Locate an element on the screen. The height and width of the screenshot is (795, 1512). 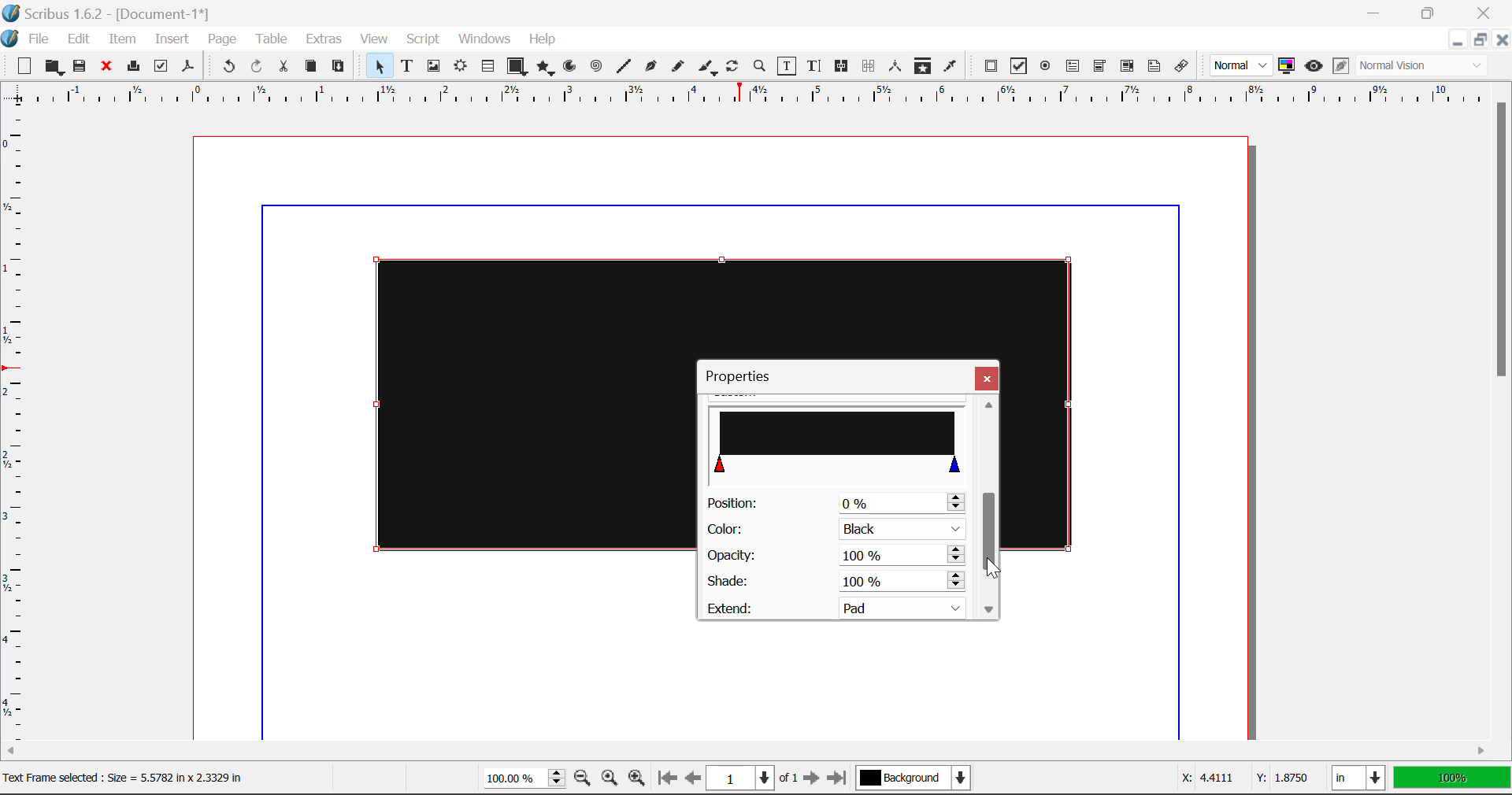
Item is located at coordinates (123, 41).